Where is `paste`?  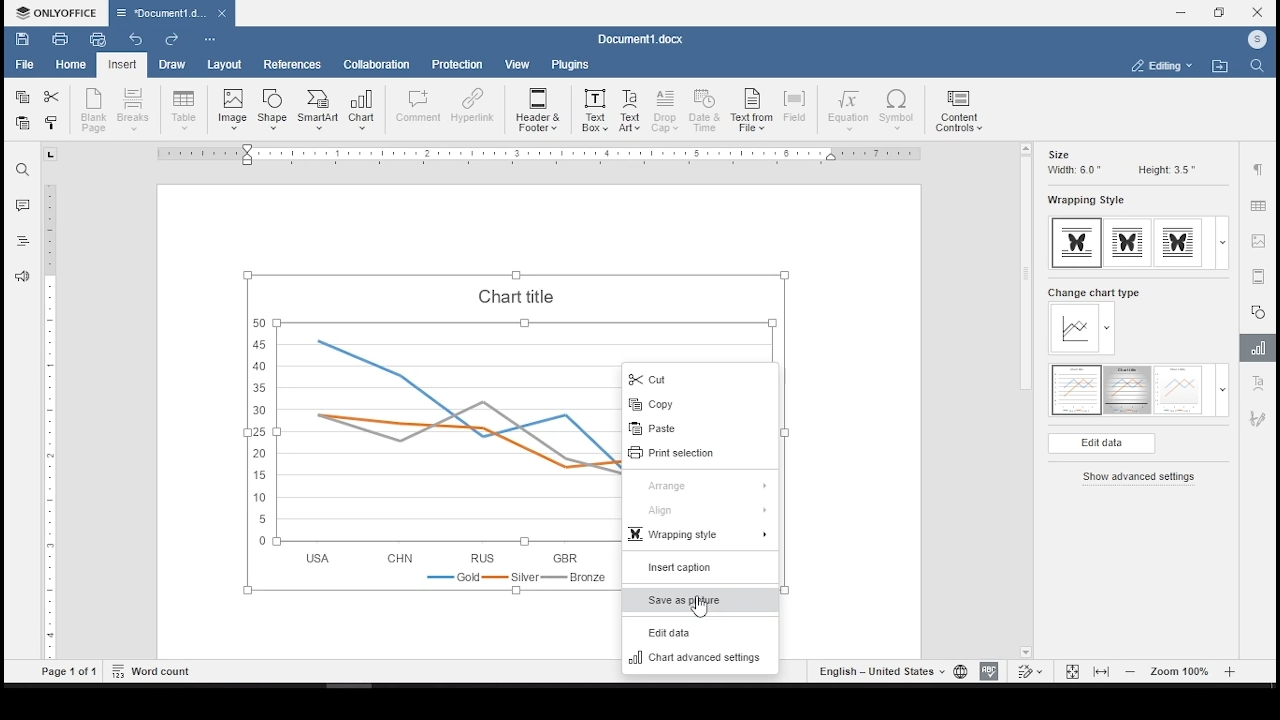 paste is located at coordinates (700, 429).